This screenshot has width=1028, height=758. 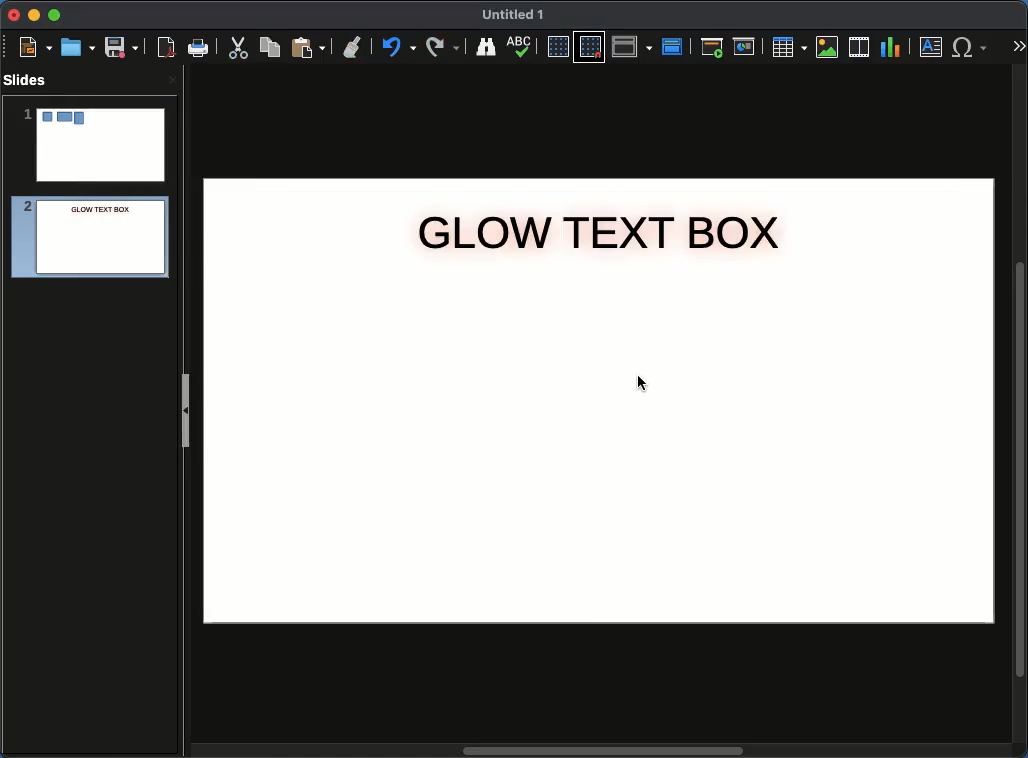 I want to click on Image, so click(x=828, y=47).